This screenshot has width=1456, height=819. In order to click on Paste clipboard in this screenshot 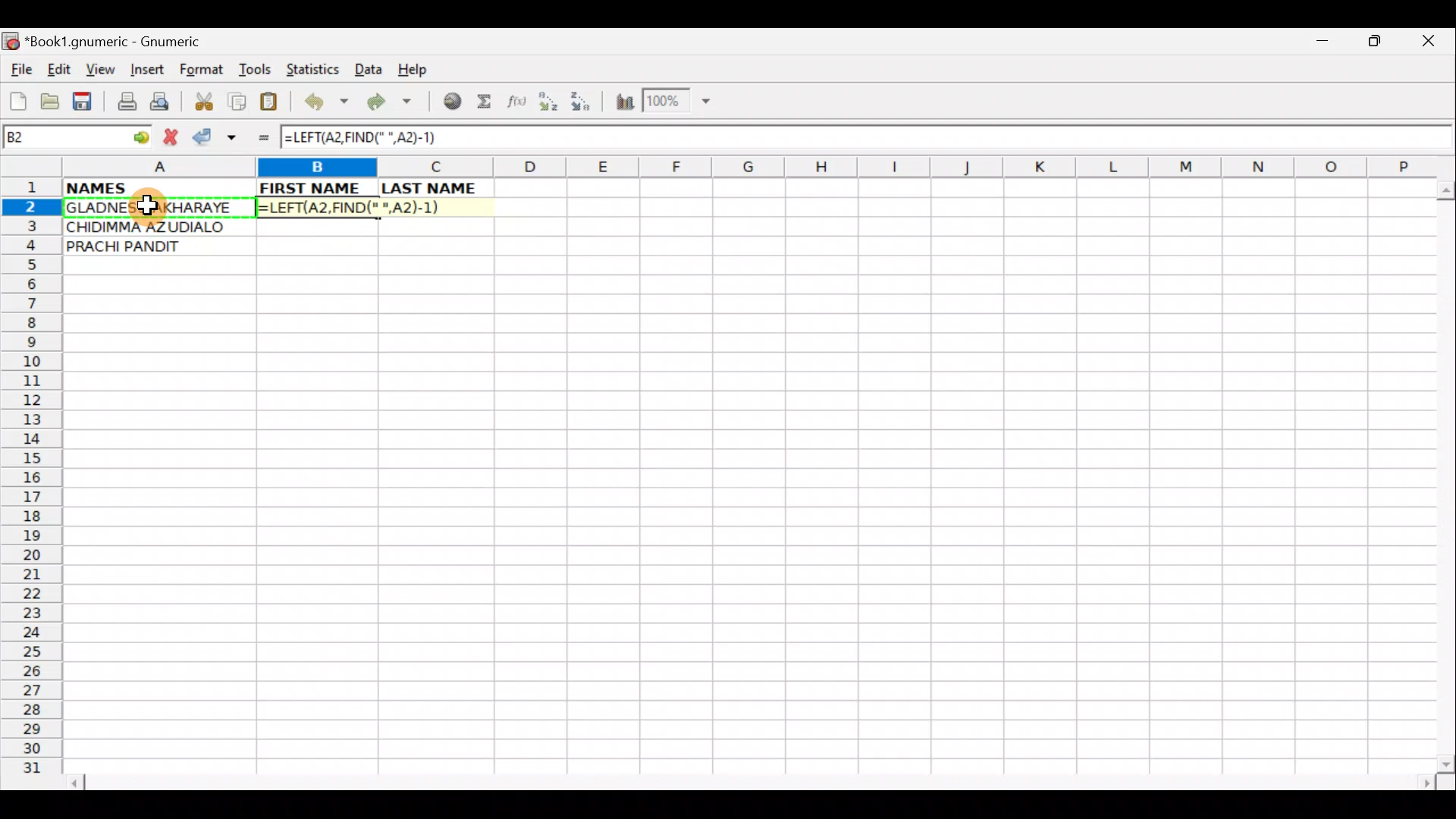, I will do `click(274, 104)`.